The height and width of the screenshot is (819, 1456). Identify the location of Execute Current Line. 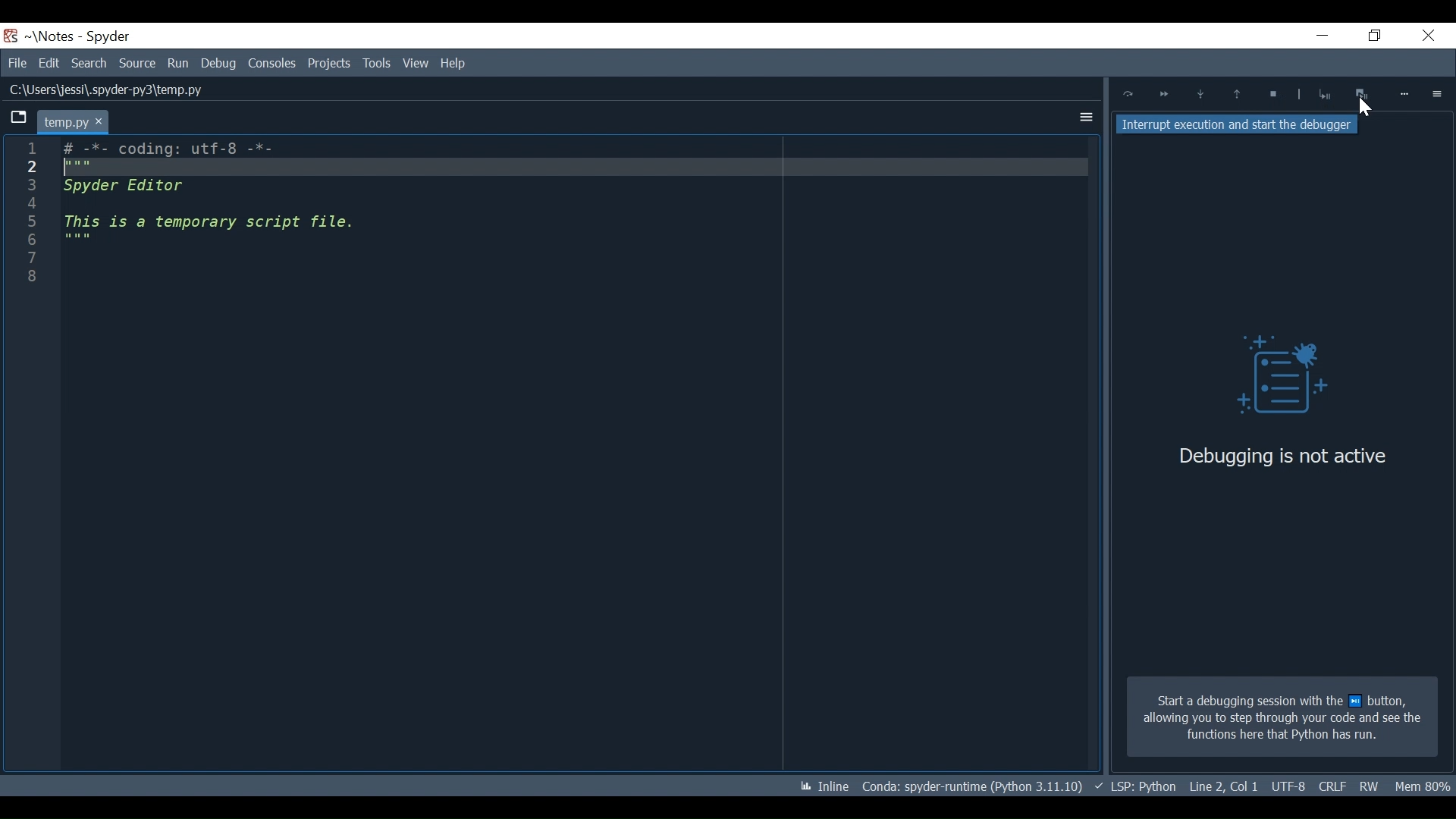
(1128, 94).